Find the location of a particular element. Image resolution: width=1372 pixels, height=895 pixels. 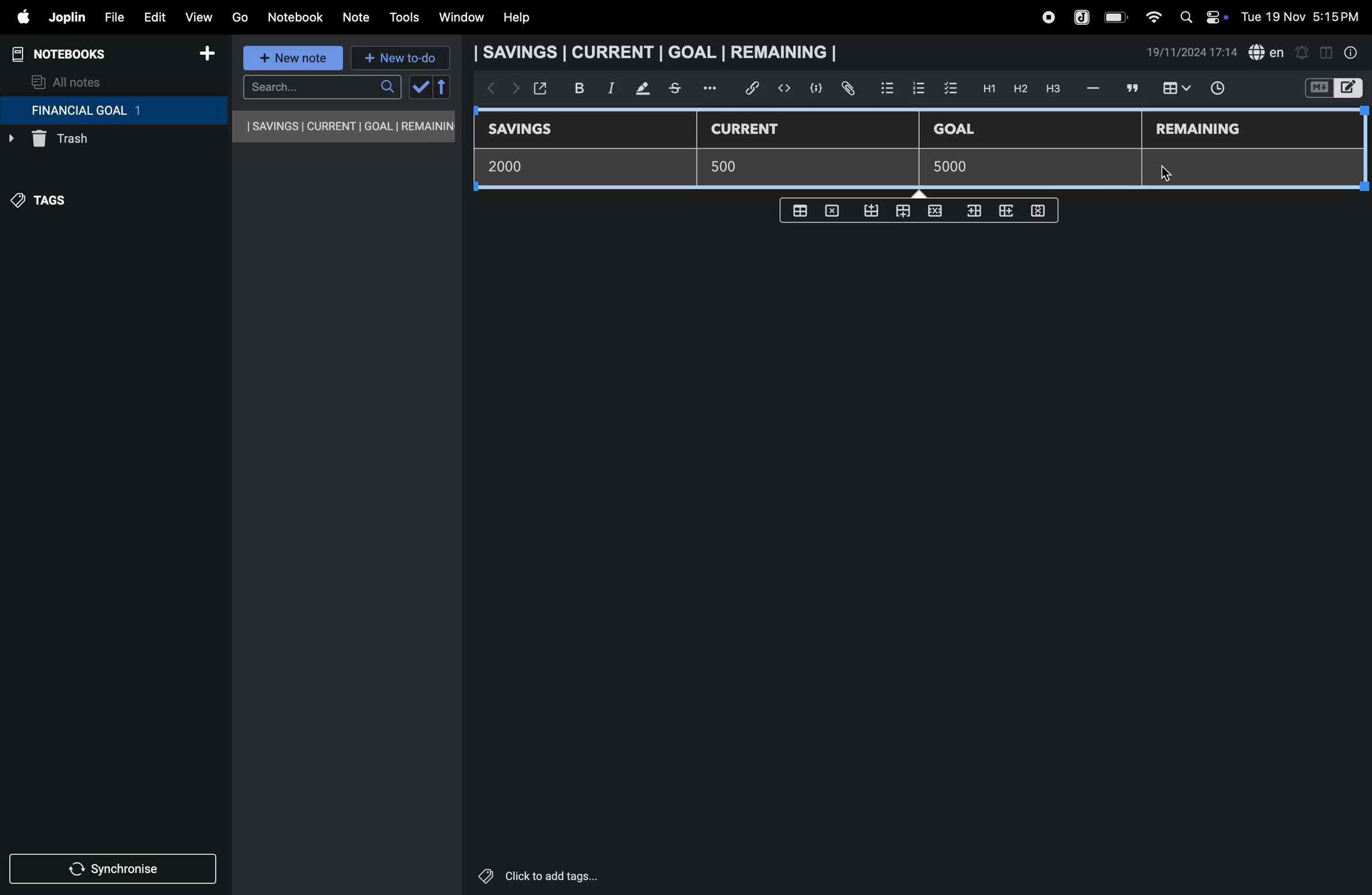

alert is located at coordinates (1301, 52).